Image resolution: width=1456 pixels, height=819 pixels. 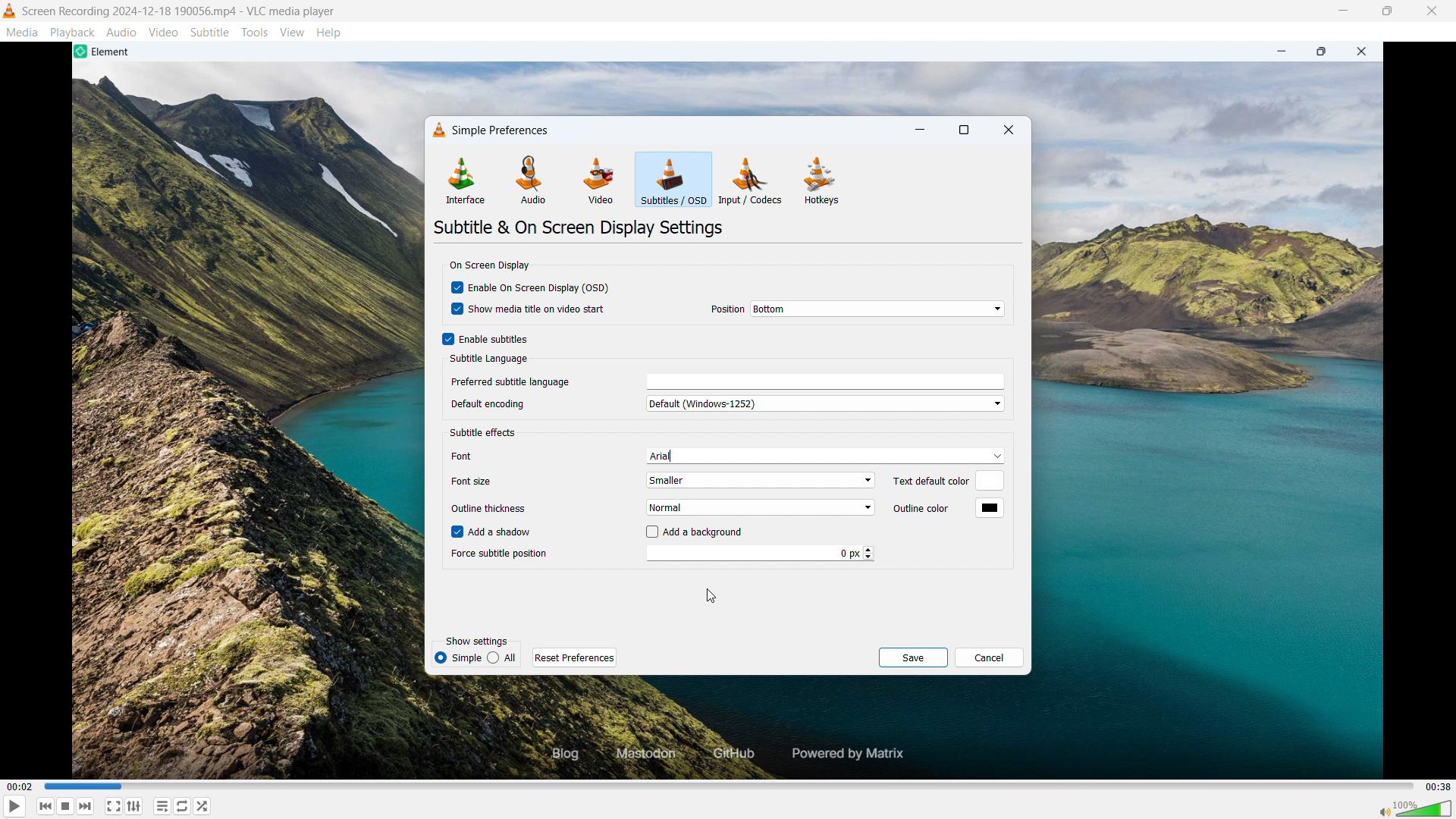 What do you see at coordinates (85, 806) in the screenshot?
I see `forward or next media` at bounding box center [85, 806].